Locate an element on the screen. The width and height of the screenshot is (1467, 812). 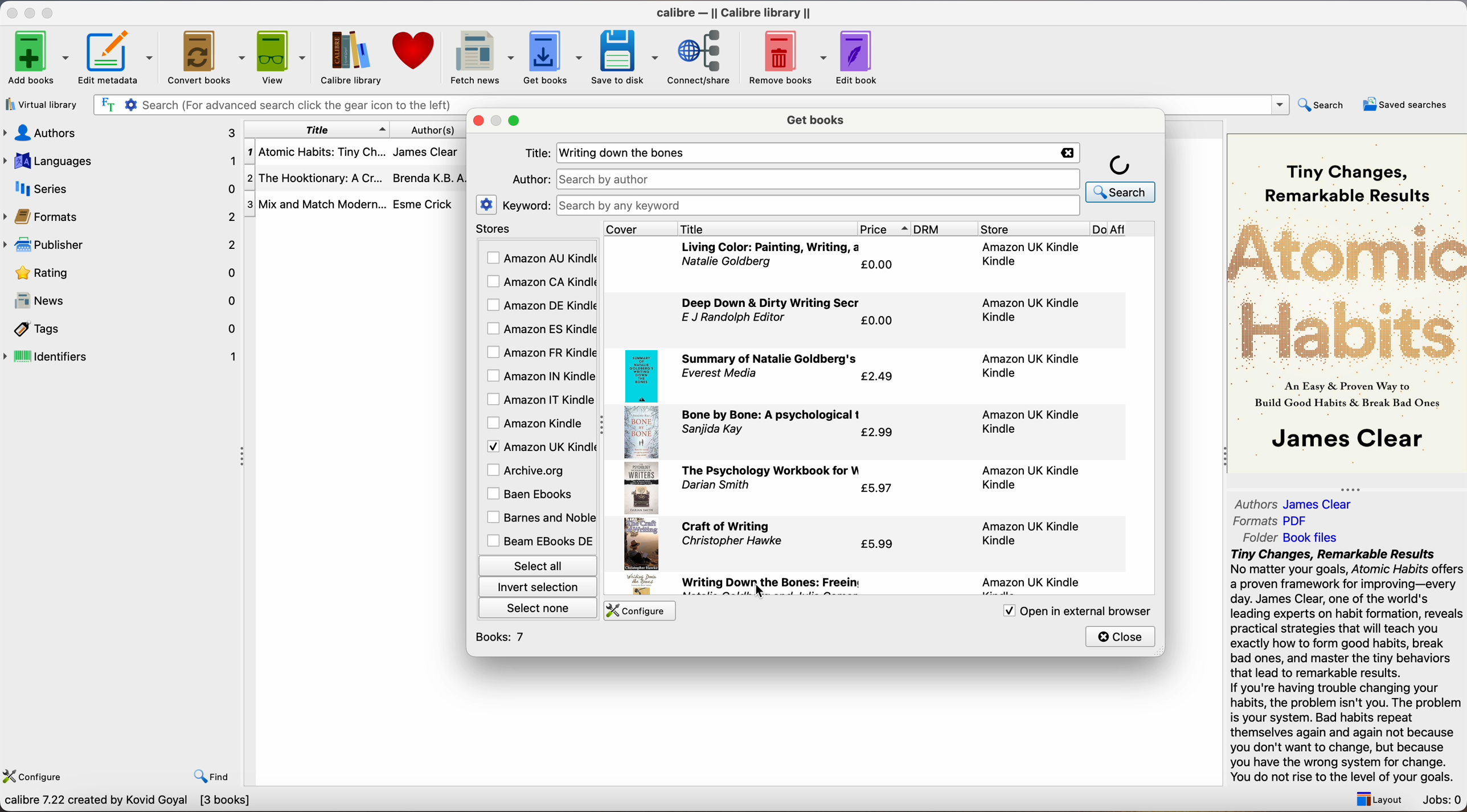
keyword is located at coordinates (526, 205).